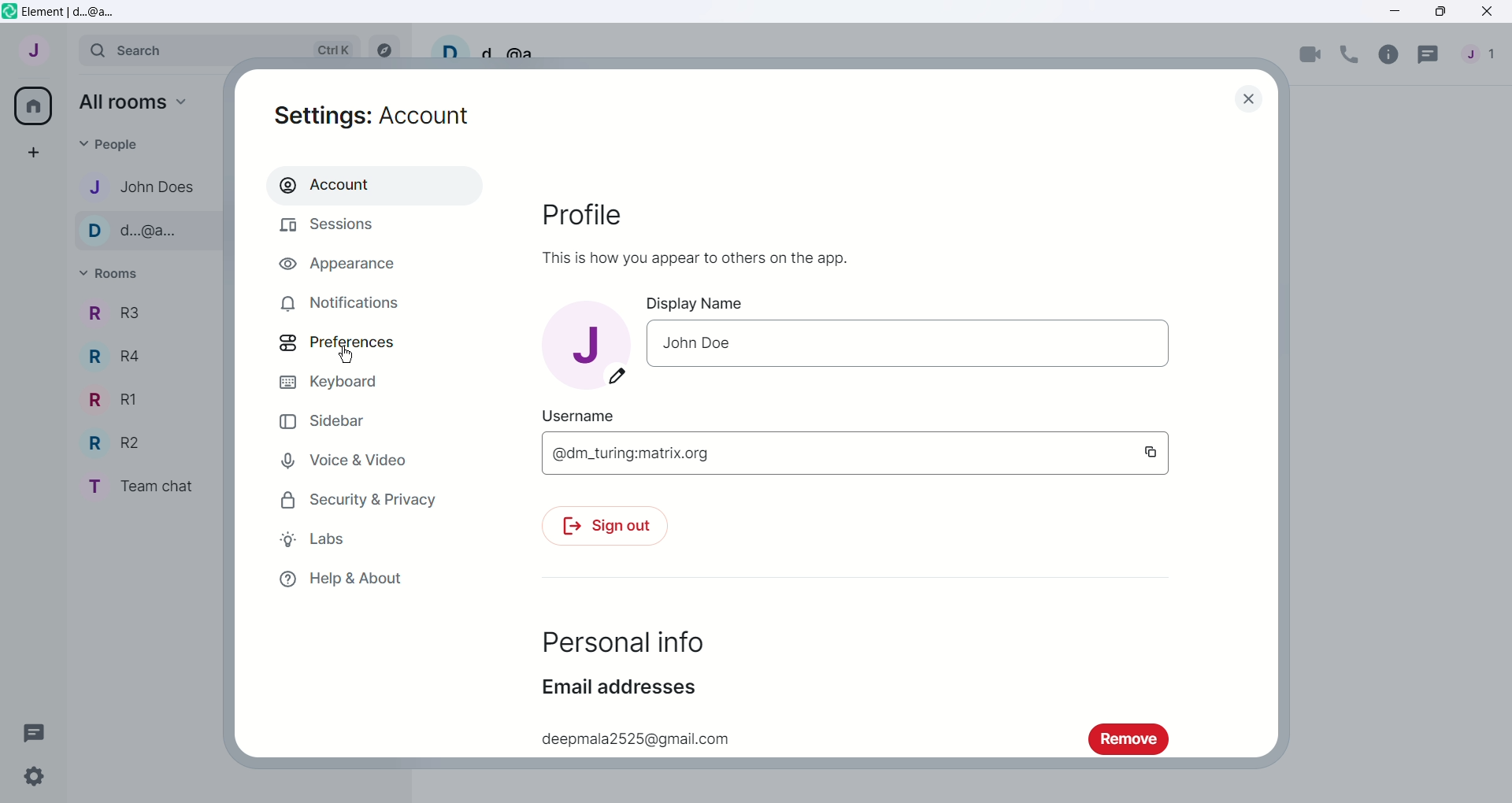 This screenshot has height=803, width=1512. What do you see at coordinates (450, 46) in the screenshot?
I see `User profile picture and settings` at bounding box center [450, 46].